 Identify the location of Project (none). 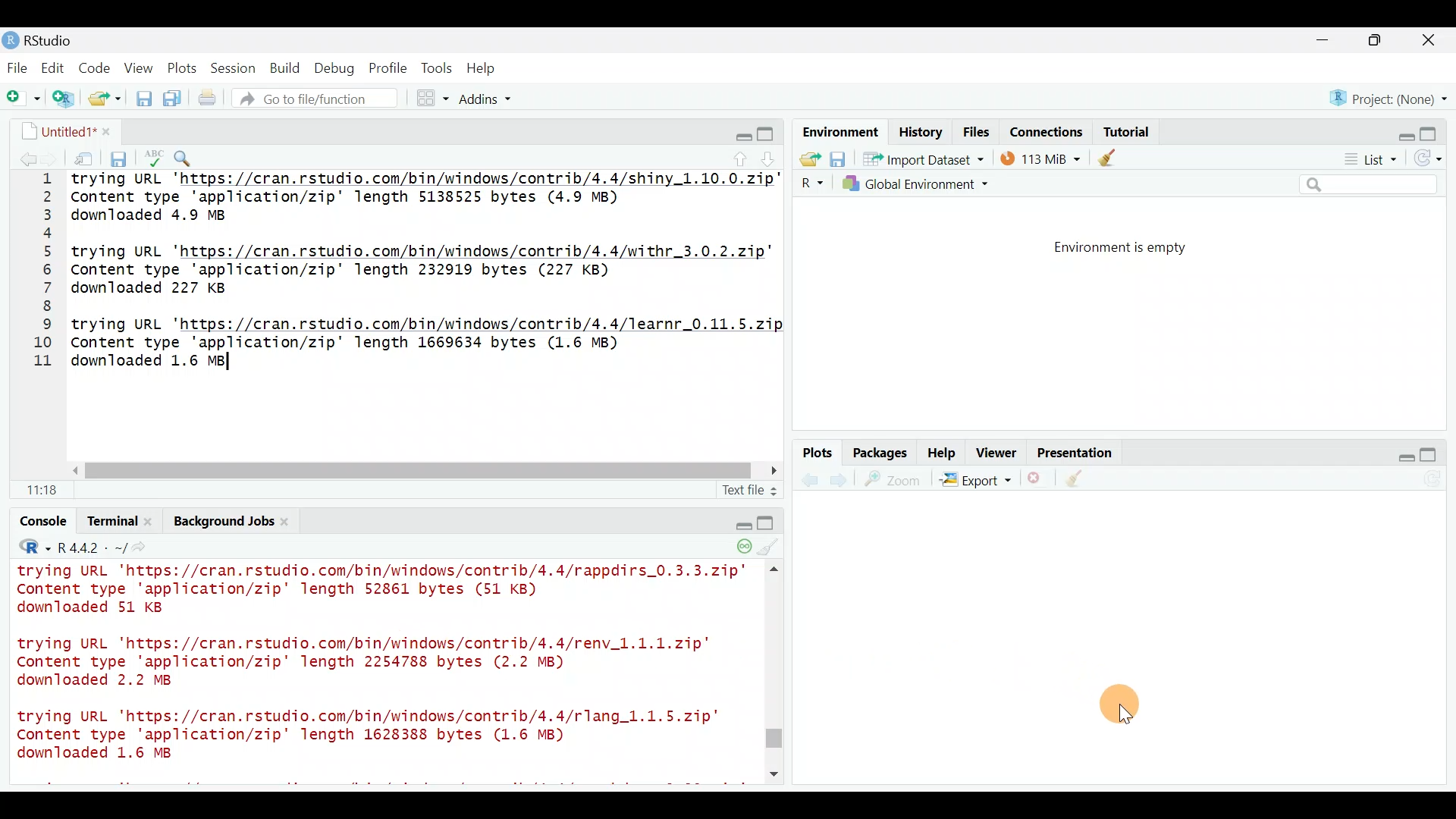
(1393, 96).